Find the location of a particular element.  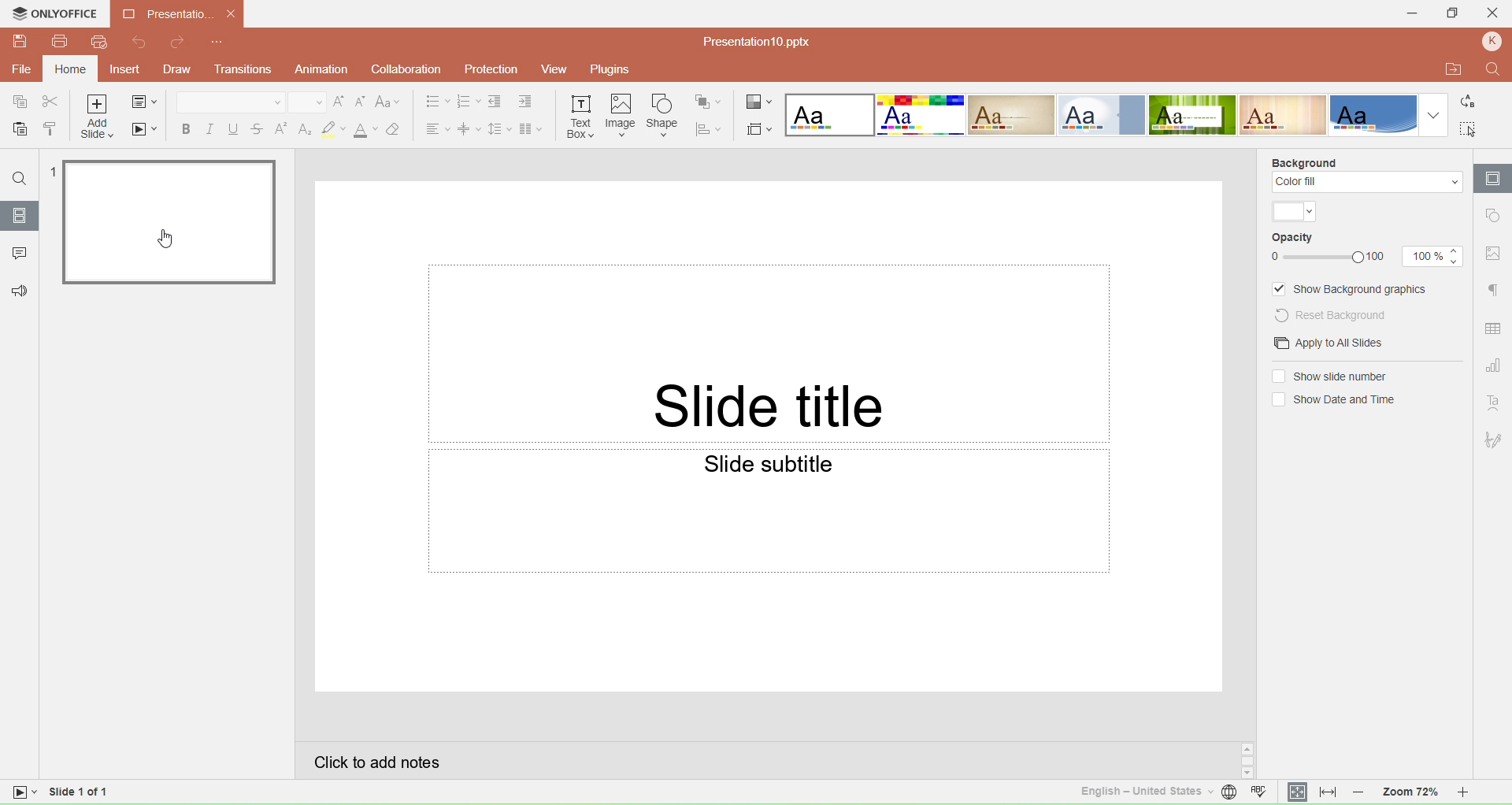

Set text language is located at coordinates (1137, 791).